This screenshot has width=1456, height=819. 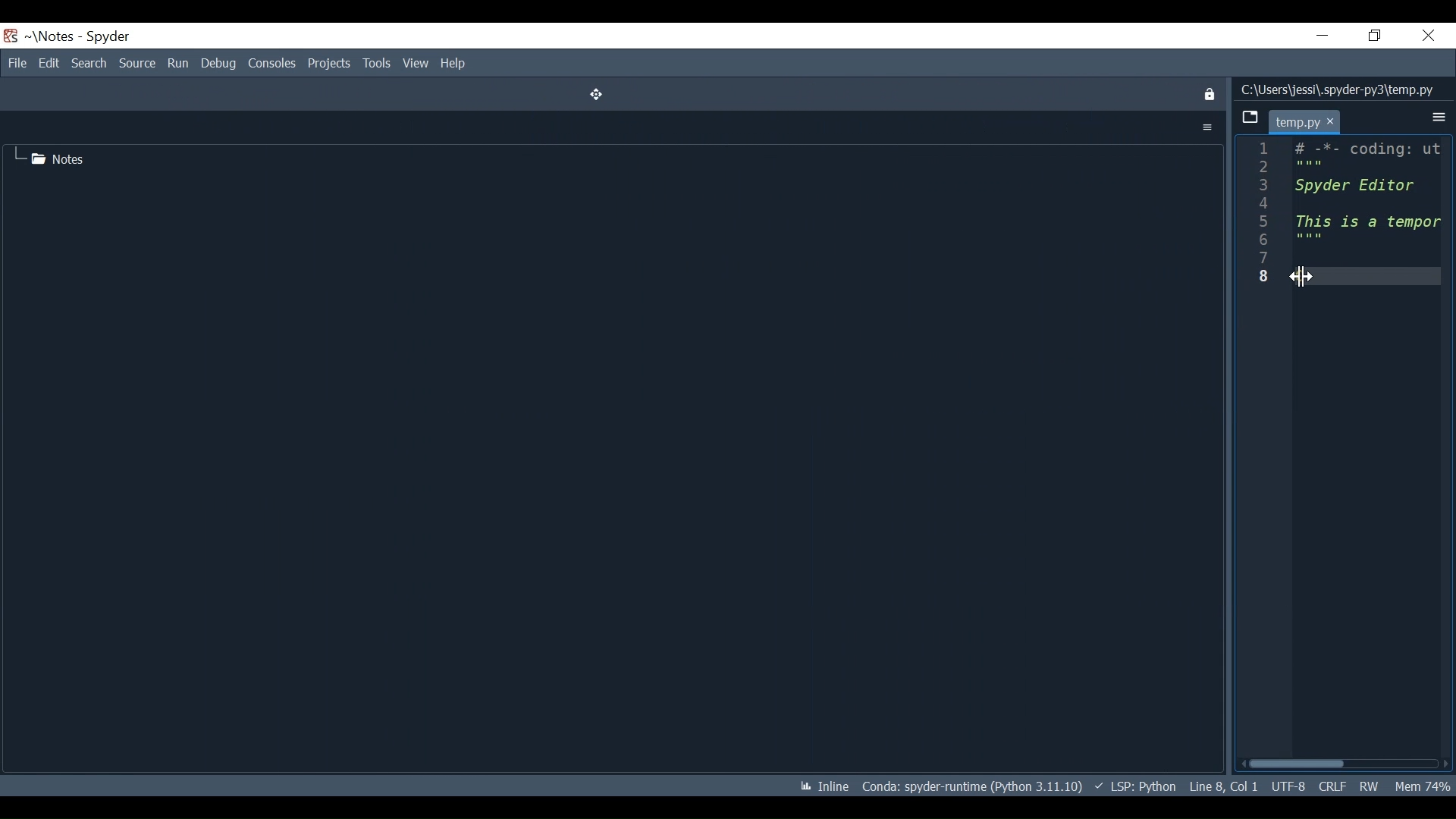 What do you see at coordinates (377, 64) in the screenshot?
I see `Tools` at bounding box center [377, 64].